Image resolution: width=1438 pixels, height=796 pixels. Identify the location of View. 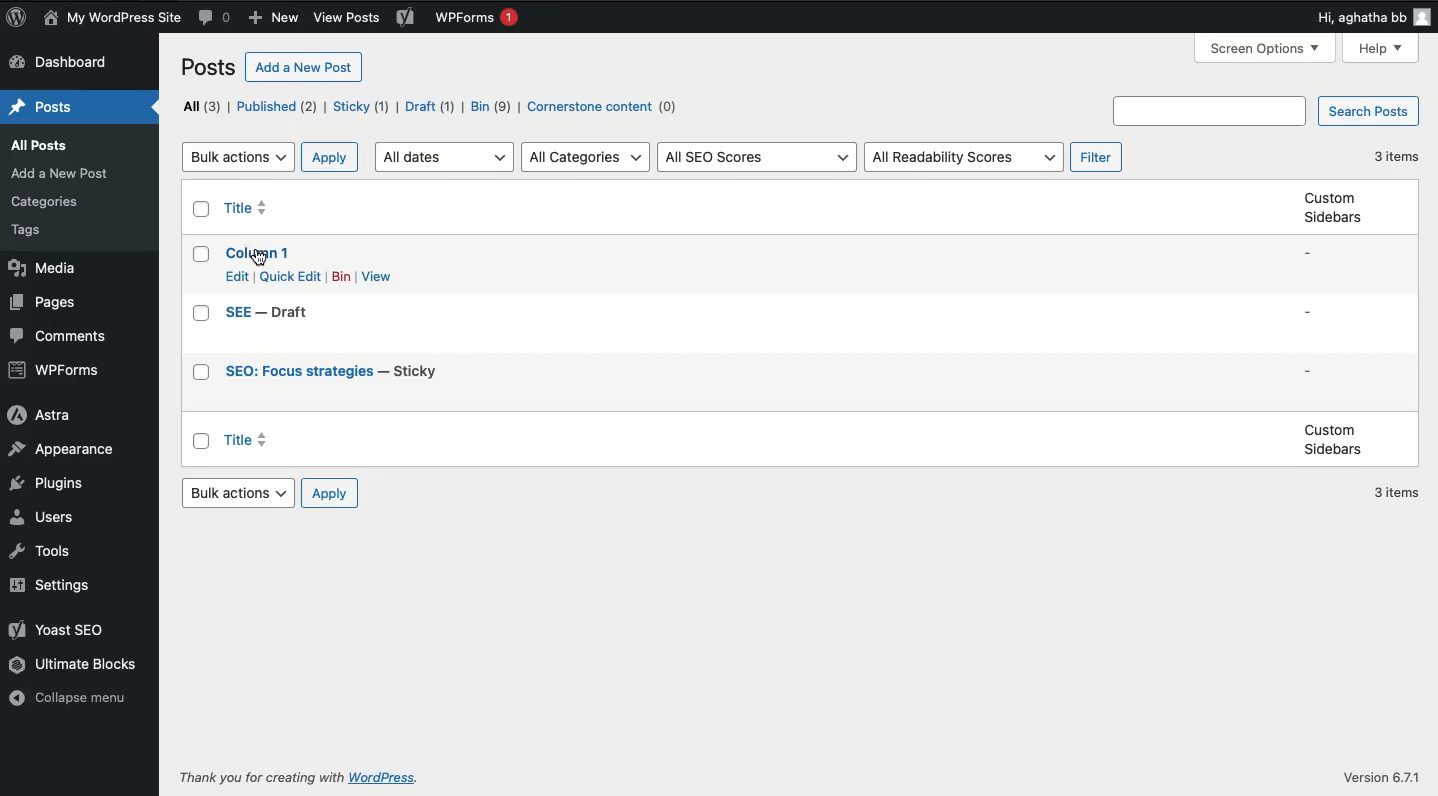
(377, 276).